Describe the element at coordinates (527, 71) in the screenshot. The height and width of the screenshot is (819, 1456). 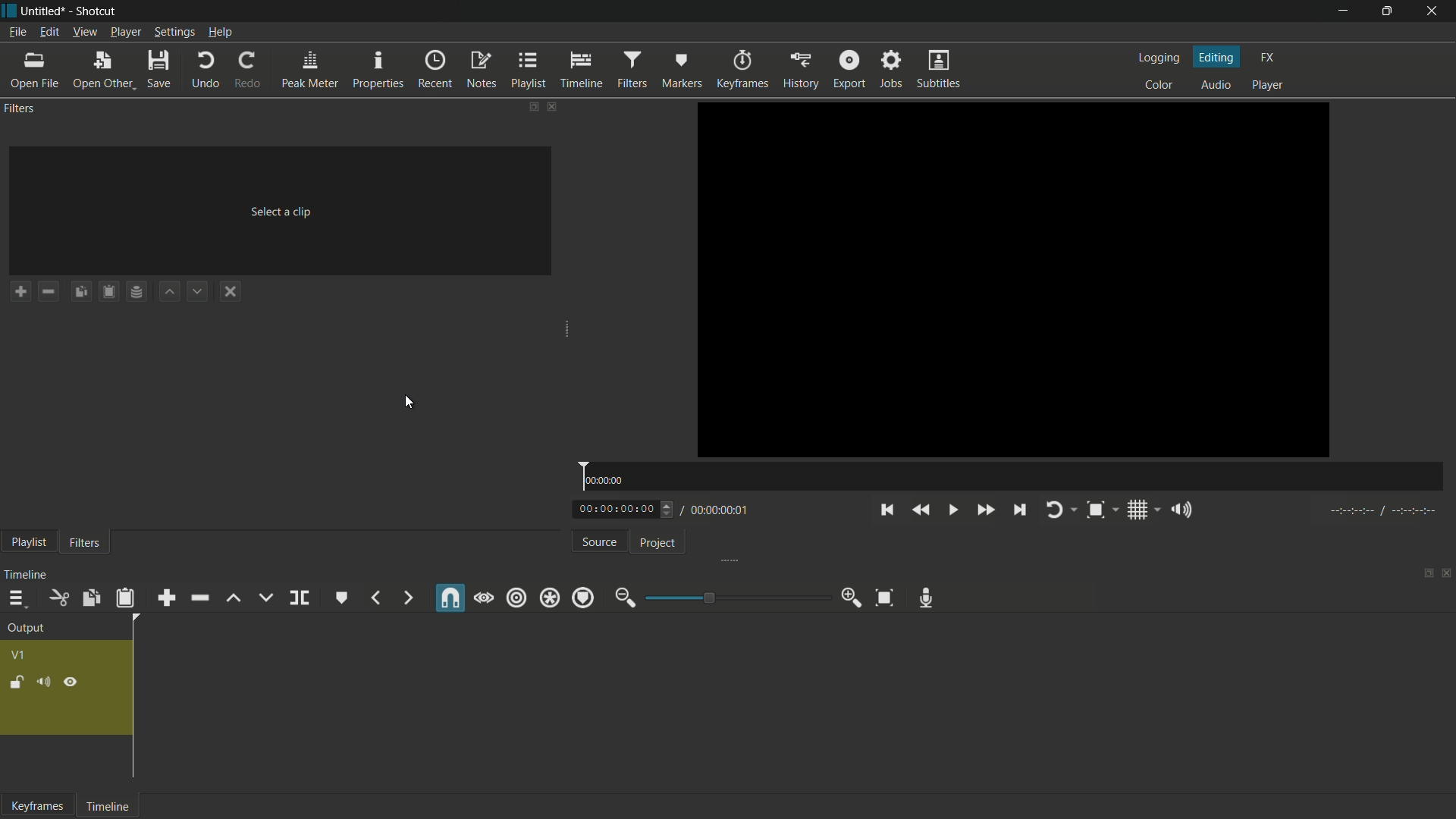
I see `playlist` at that location.